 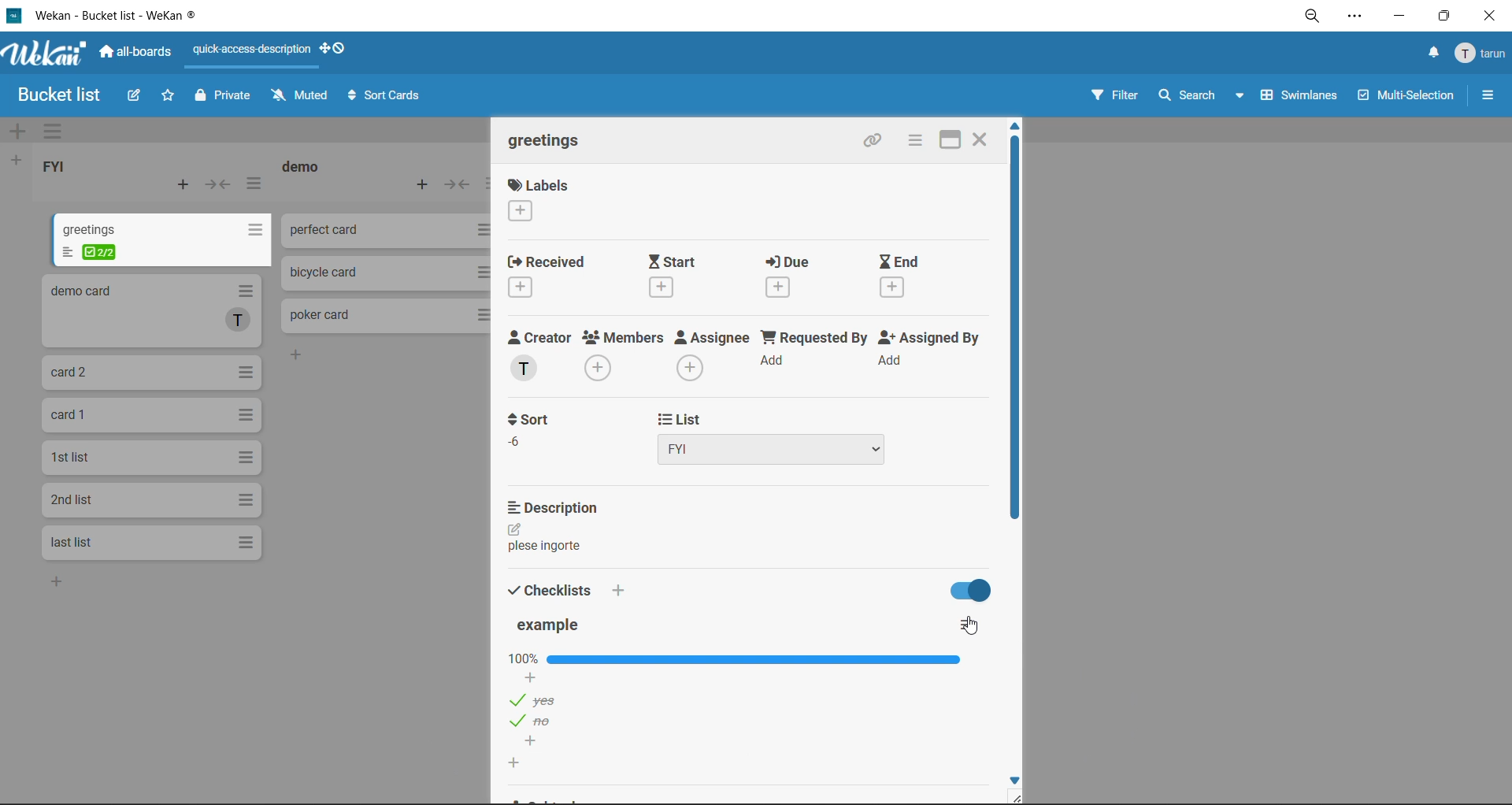 What do you see at coordinates (802, 437) in the screenshot?
I see `list` at bounding box center [802, 437].